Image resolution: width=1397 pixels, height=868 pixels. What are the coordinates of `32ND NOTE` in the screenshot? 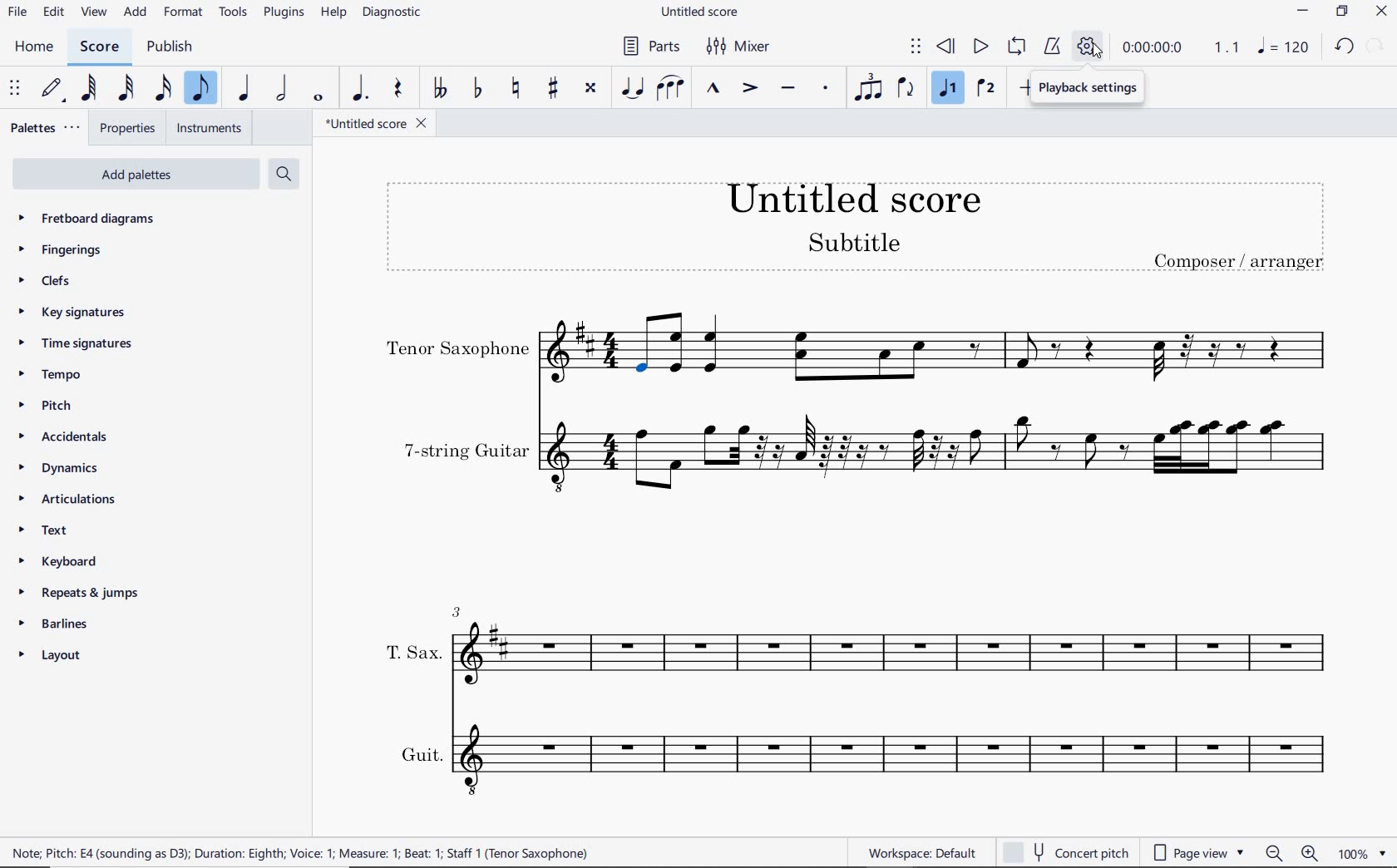 It's located at (125, 88).